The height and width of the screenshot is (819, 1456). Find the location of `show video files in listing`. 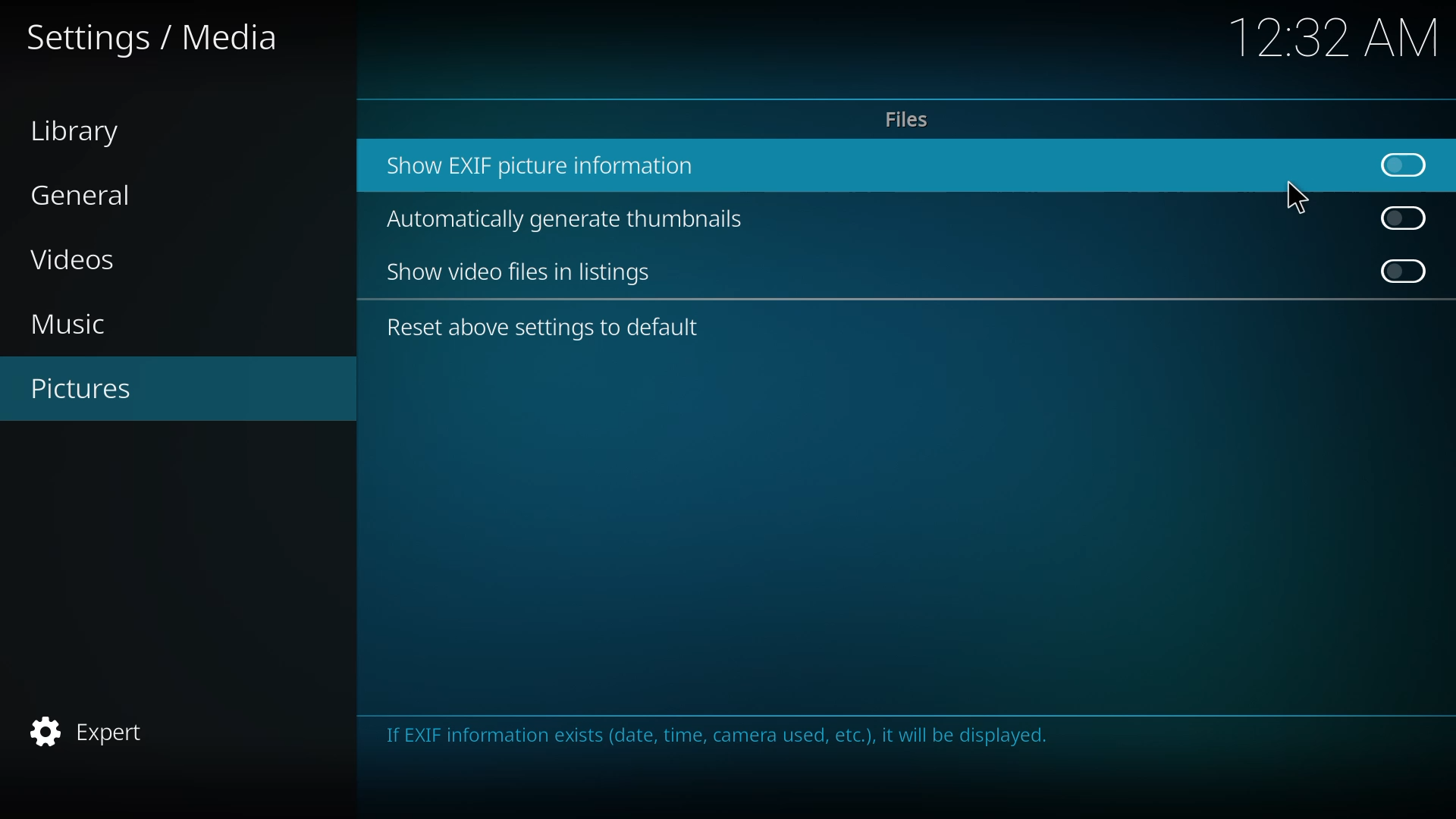

show video files in listing is located at coordinates (523, 271).